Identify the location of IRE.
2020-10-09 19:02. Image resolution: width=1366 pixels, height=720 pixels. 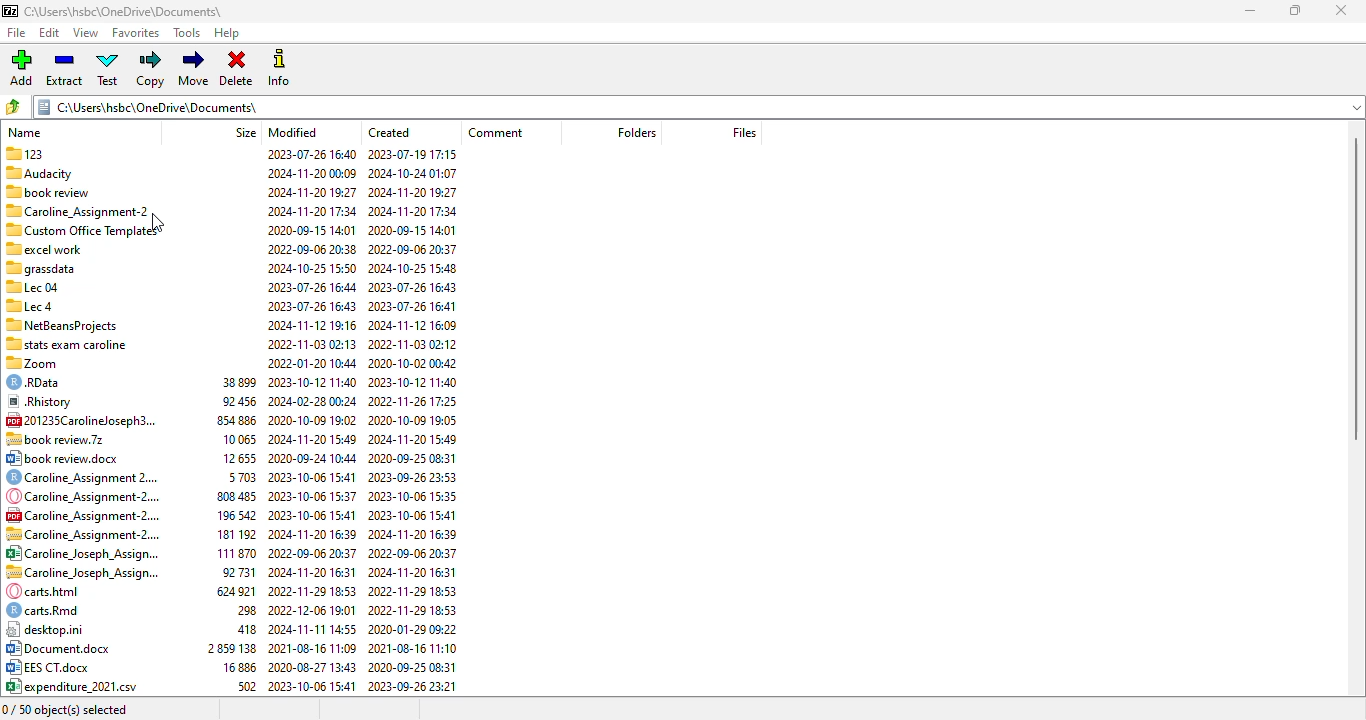
(313, 419).